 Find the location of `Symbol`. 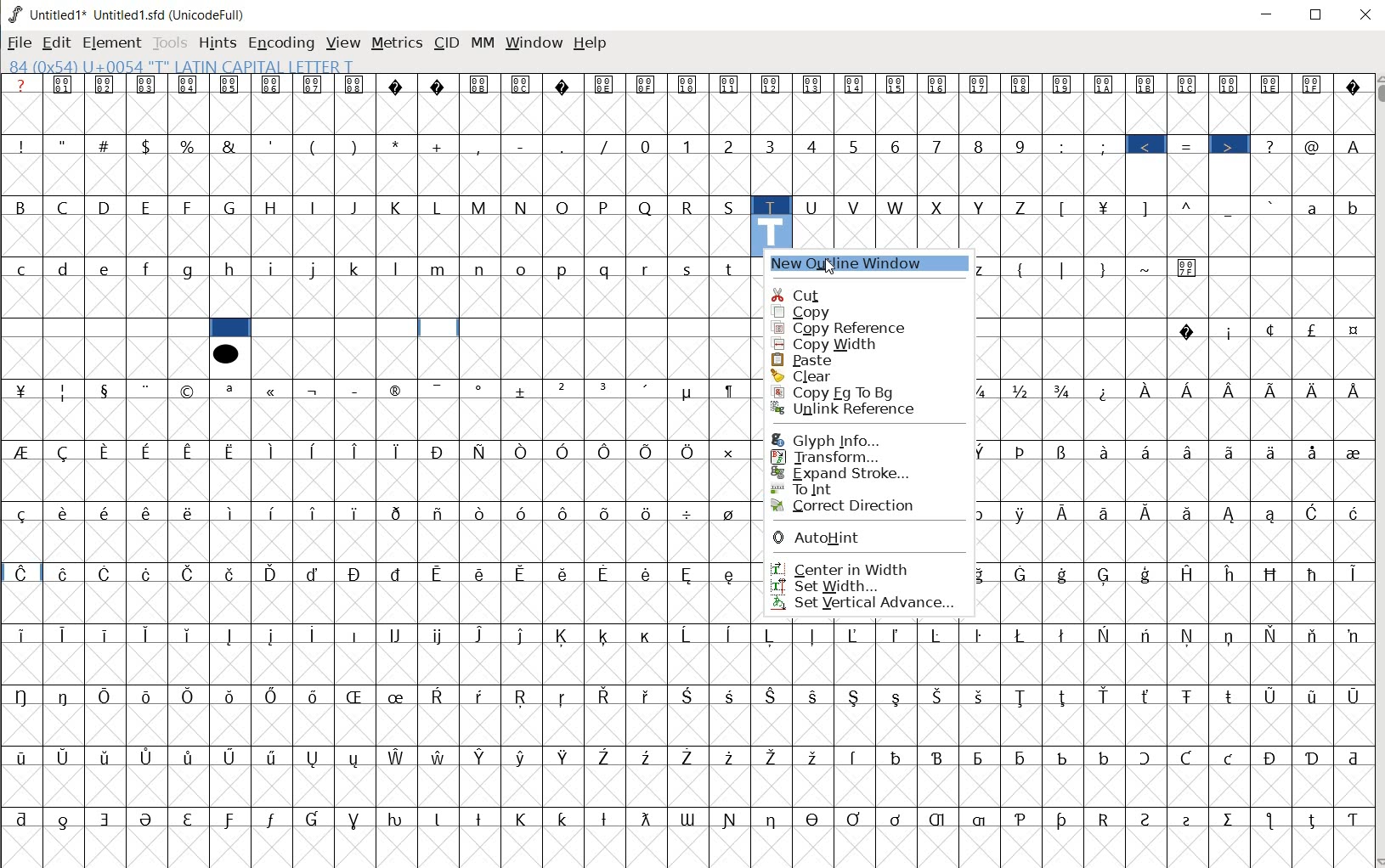

Symbol is located at coordinates (896, 635).